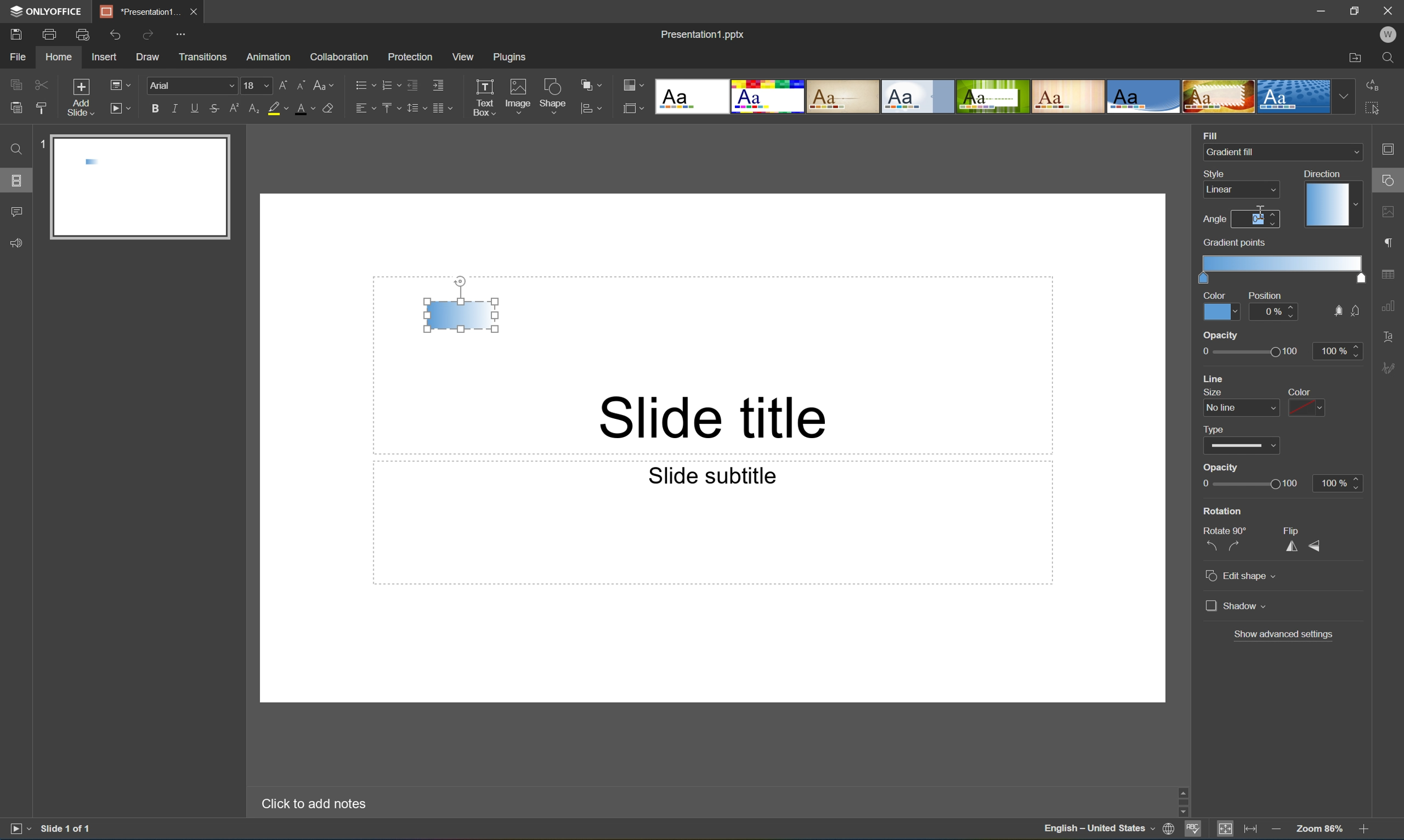  Describe the element at coordinates (594, 85) in the screenshot. I see `Arrange shape` at that location.